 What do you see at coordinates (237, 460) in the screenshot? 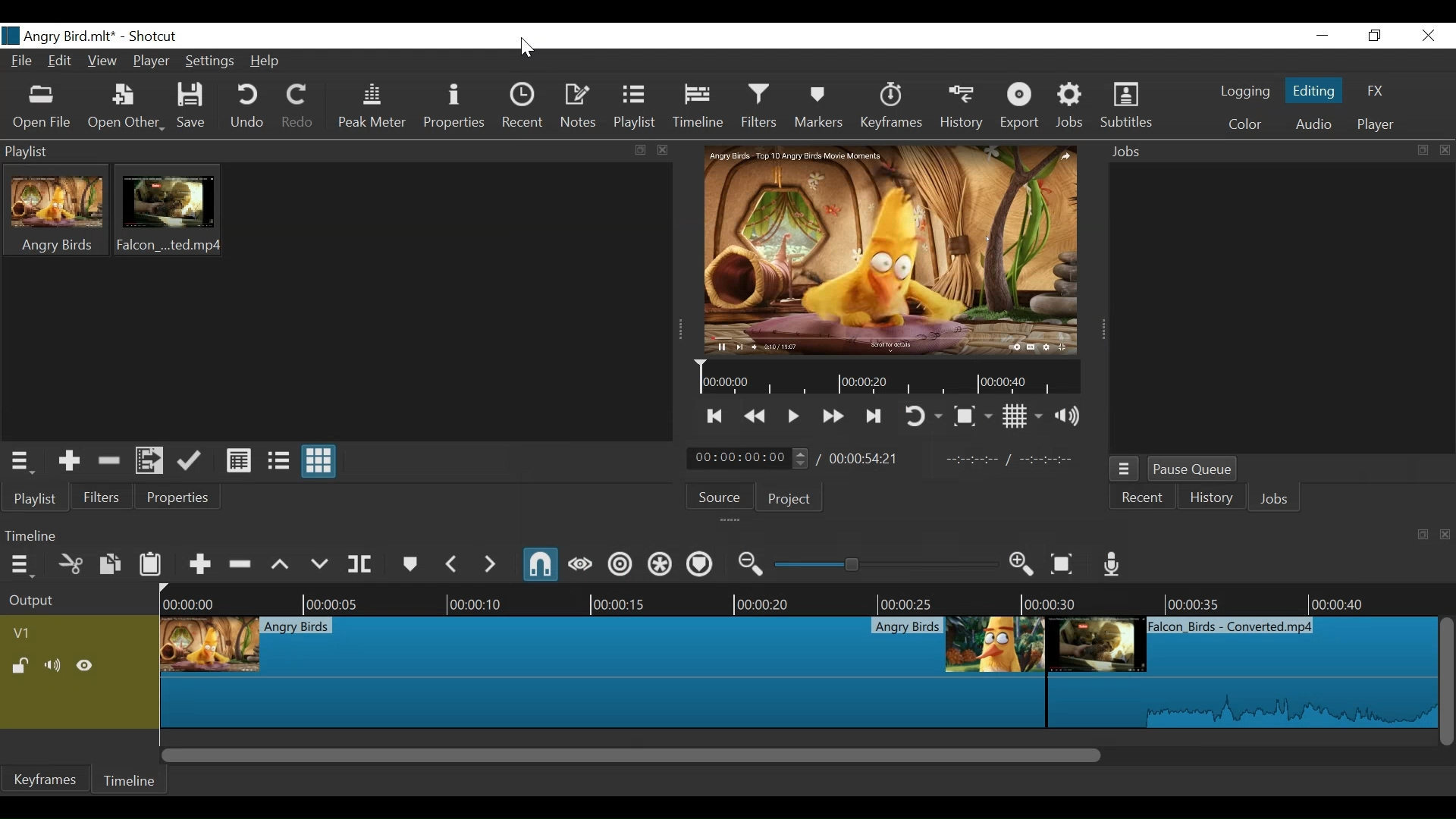
I see `View as detail` at bounding box center [237, 460].